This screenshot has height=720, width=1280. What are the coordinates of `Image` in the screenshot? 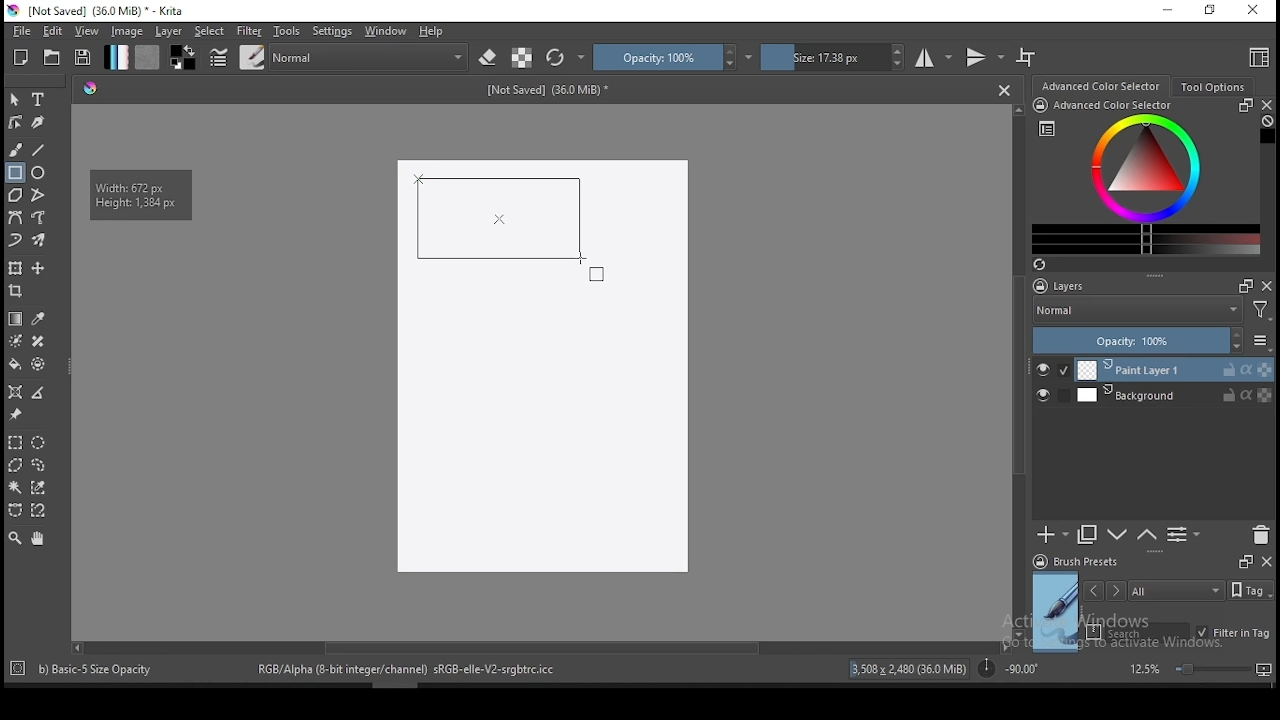 It's located at (541, 368).